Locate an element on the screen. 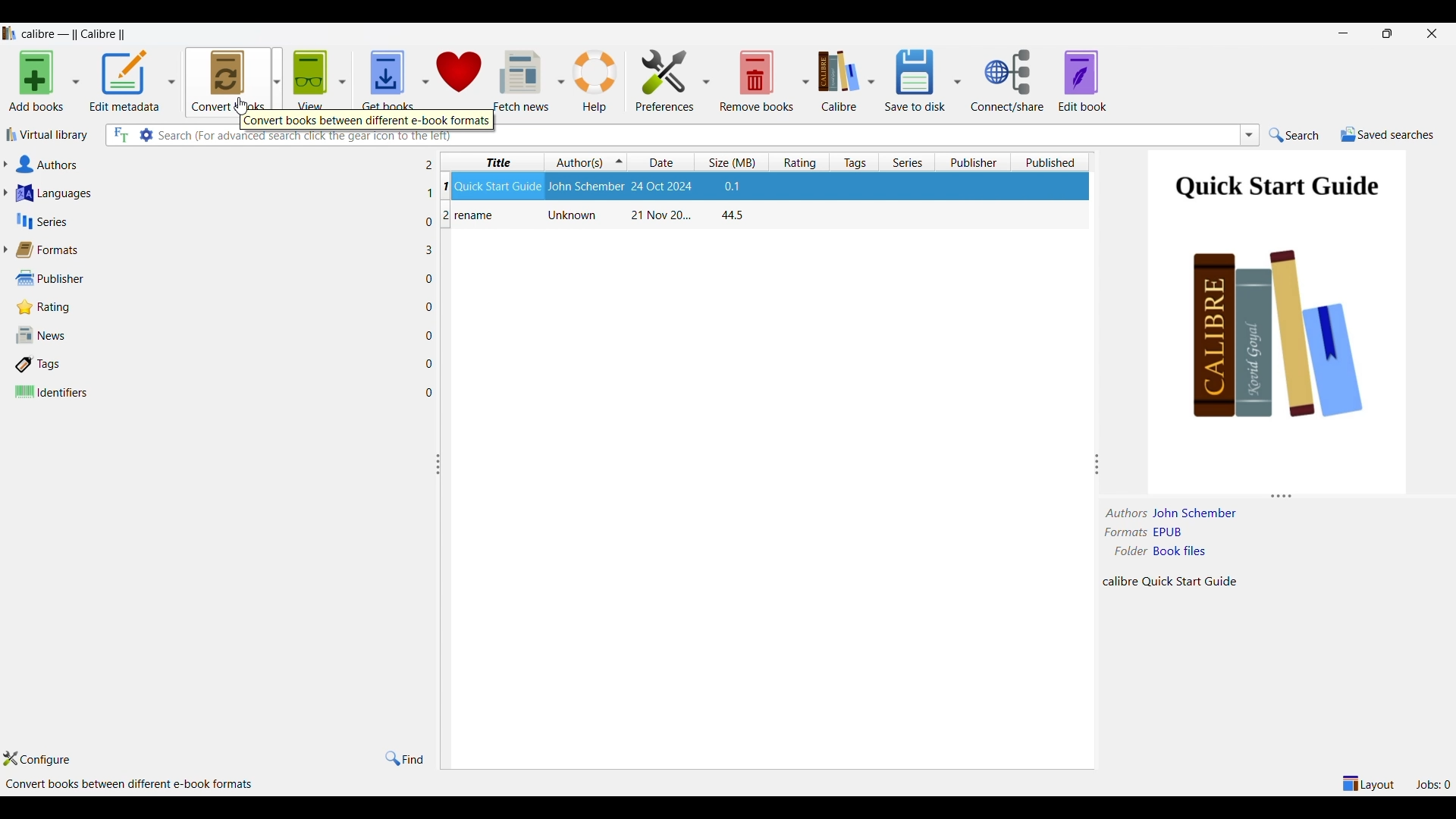  Calibre is located at coordinates (839, 81).